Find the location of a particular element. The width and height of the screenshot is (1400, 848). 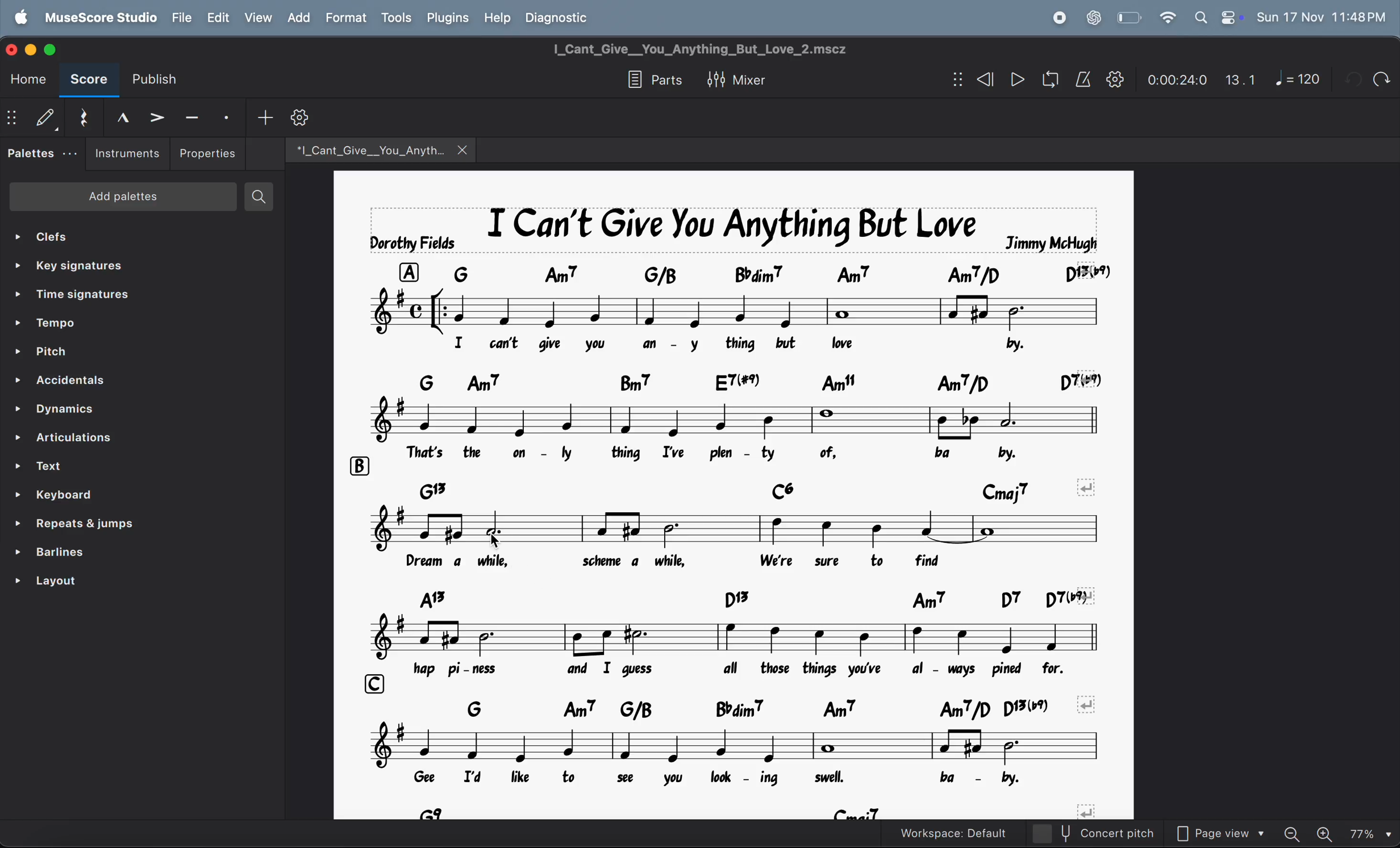

lyrics is located at coordinates (732, 344).